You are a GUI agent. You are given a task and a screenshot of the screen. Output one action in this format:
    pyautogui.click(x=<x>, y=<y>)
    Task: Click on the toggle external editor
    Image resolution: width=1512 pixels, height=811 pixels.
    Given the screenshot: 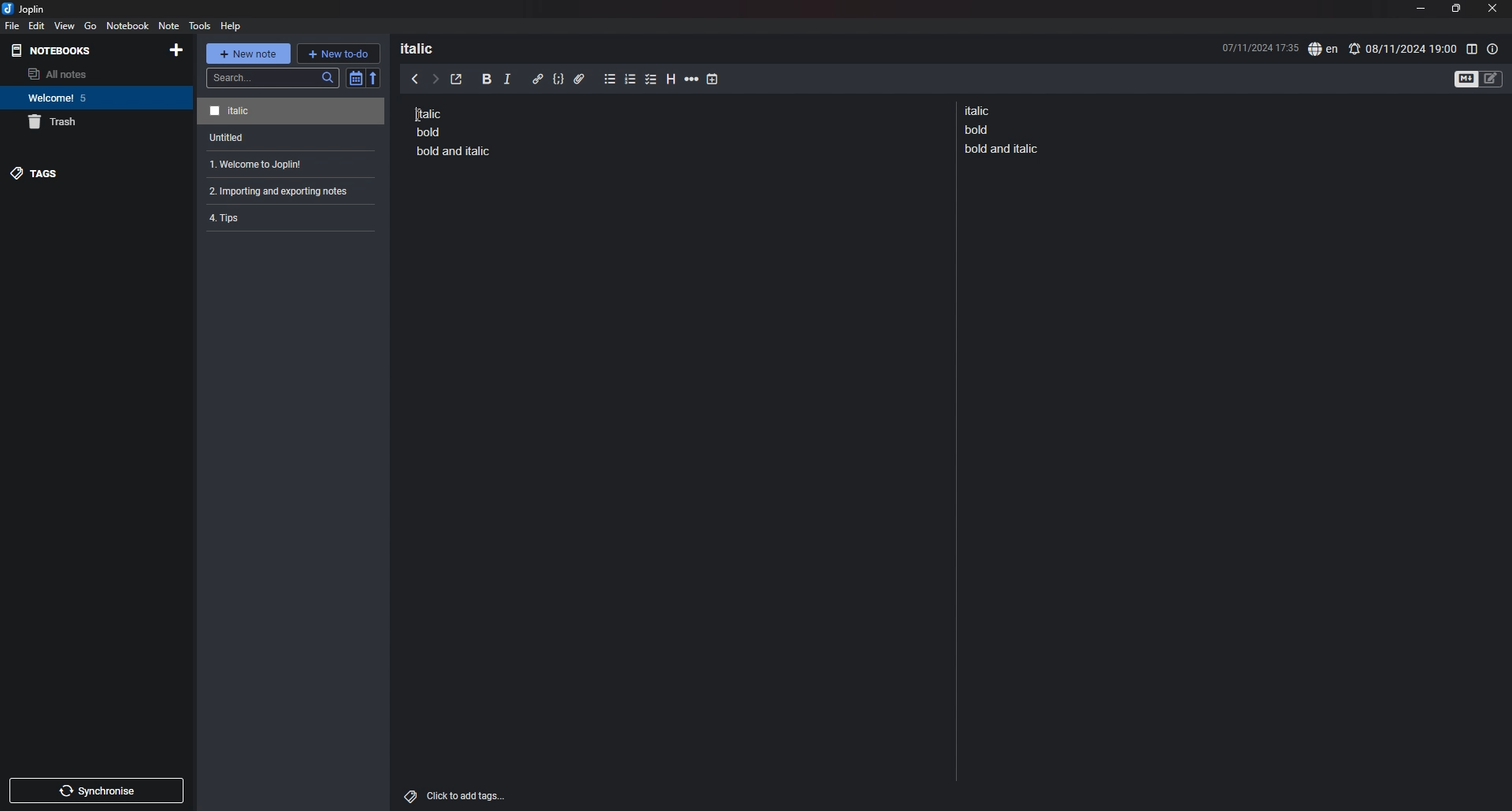 What is the action you would take?
    pyautogui.click(x=457, y=80)
    